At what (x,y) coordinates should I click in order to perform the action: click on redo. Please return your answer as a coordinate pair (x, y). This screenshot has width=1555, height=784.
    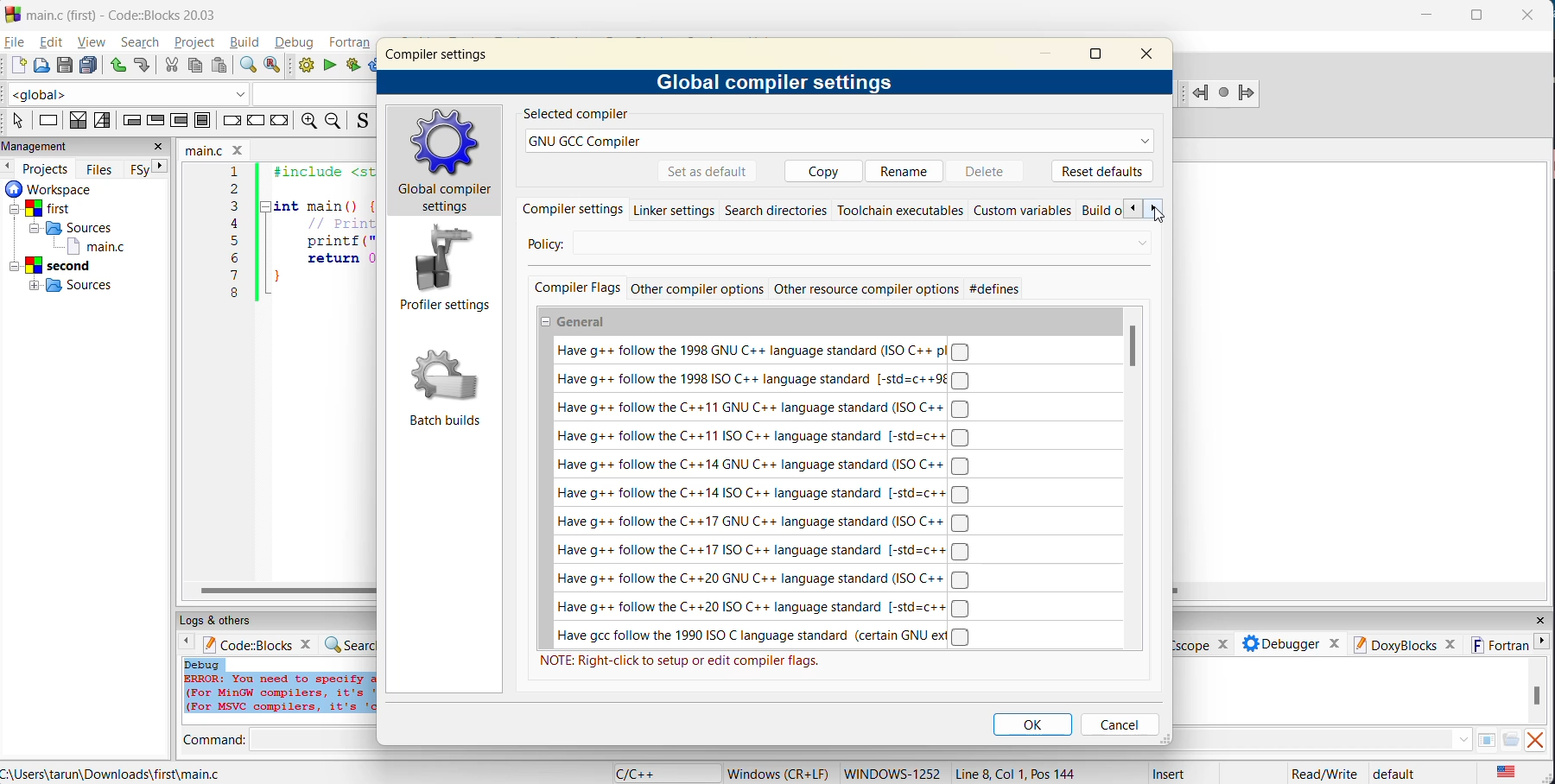
    Looking at the image, I should click on (143, 66).